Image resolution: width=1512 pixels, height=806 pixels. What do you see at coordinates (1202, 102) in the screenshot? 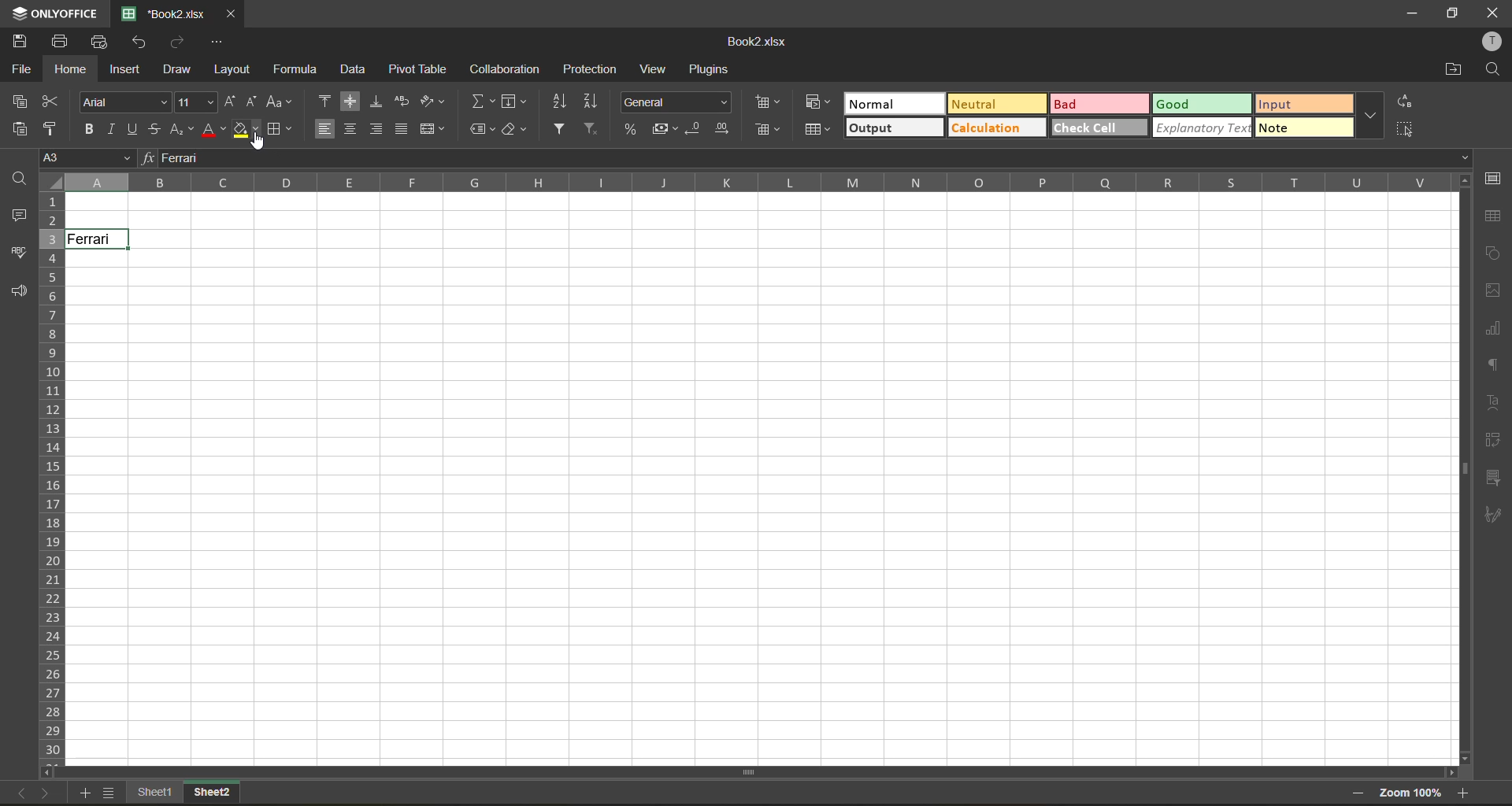
I see `good` at bounding box center [1202, 102].